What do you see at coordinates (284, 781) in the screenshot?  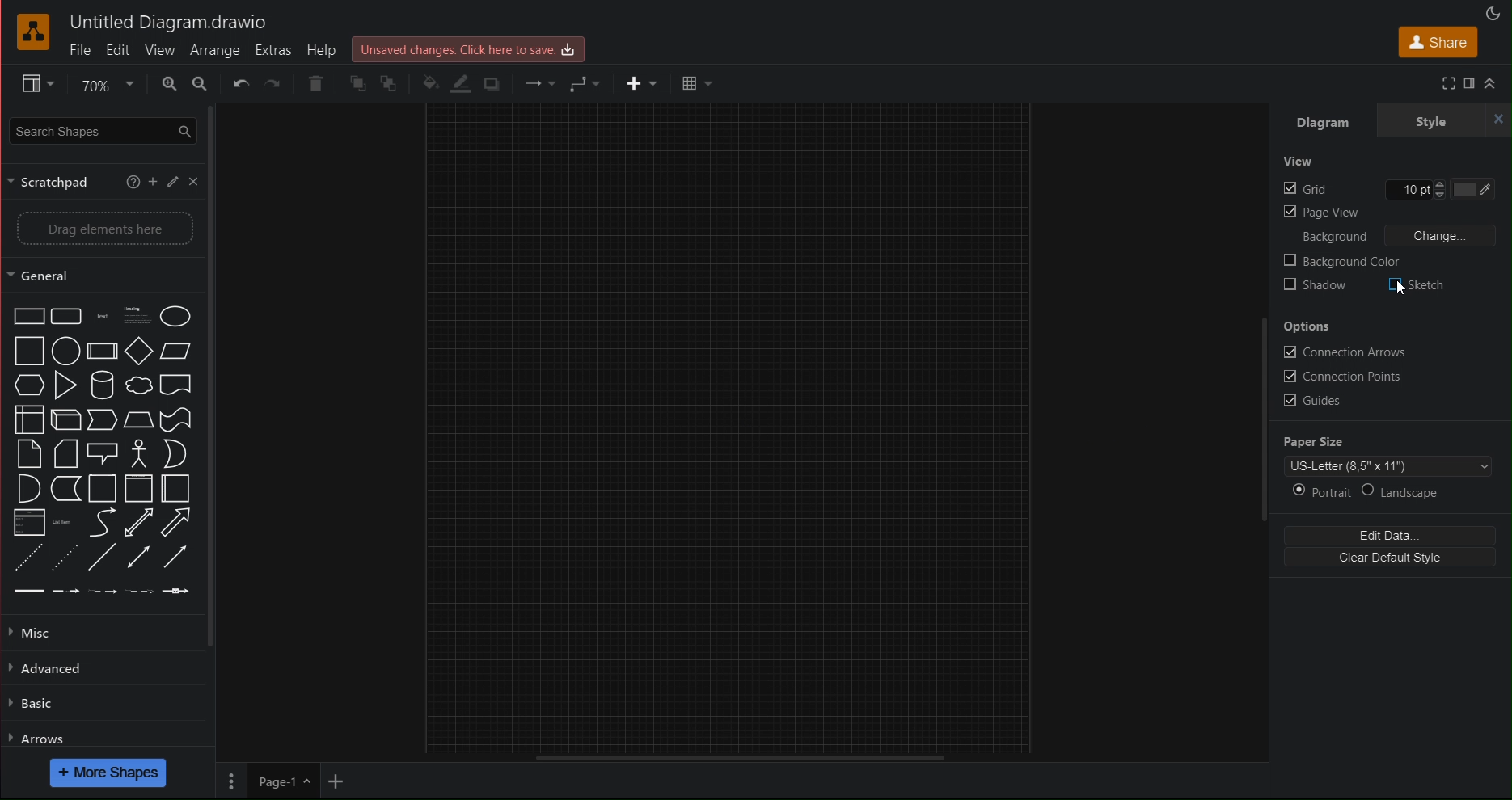 I see `Page 1` at bounding box center [284, 781].